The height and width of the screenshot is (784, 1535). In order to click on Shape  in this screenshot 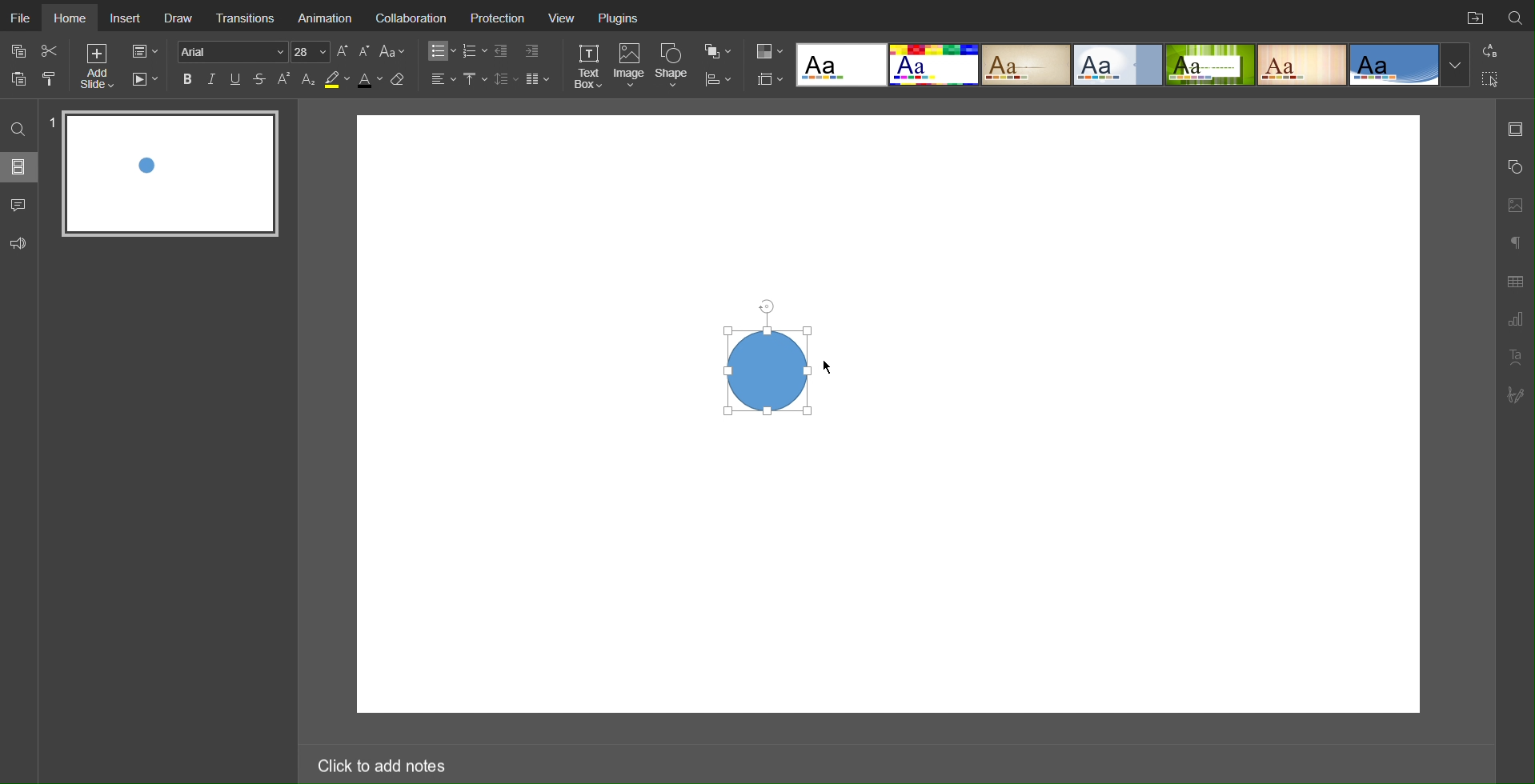, I will do `click(675, 65)`.